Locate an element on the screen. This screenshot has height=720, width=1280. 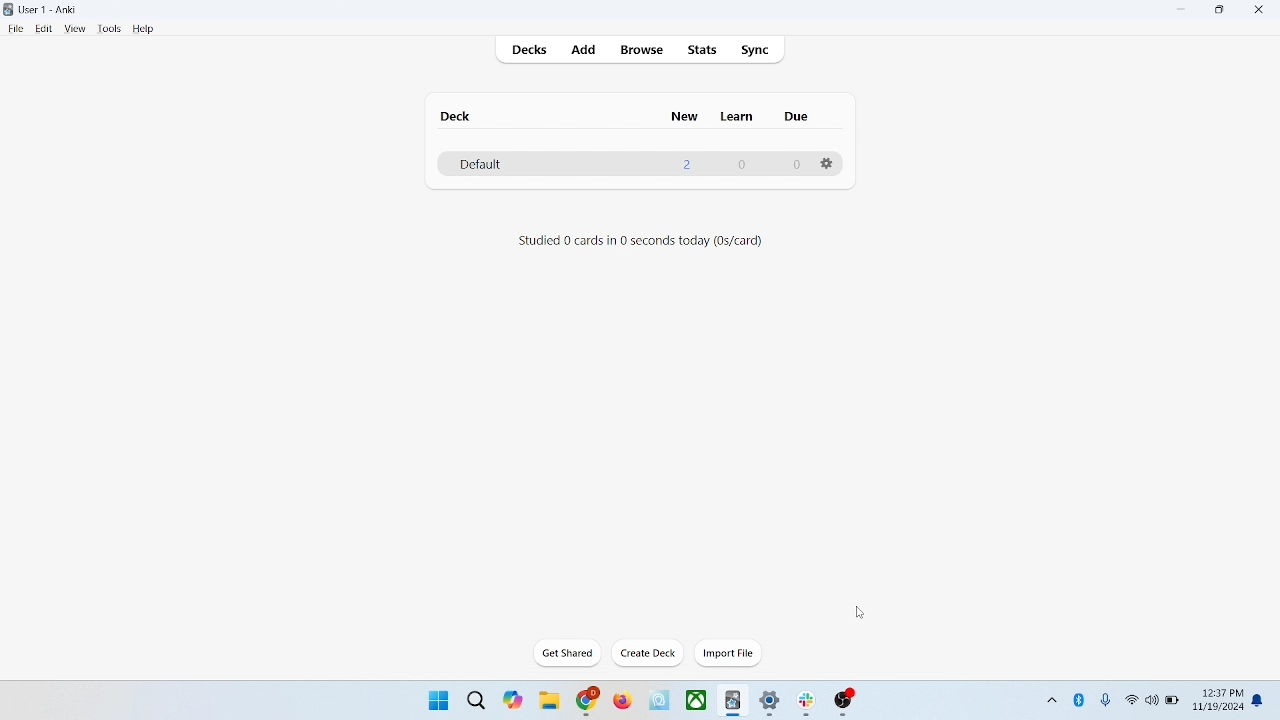
learn is located at coordinates (736, 116).